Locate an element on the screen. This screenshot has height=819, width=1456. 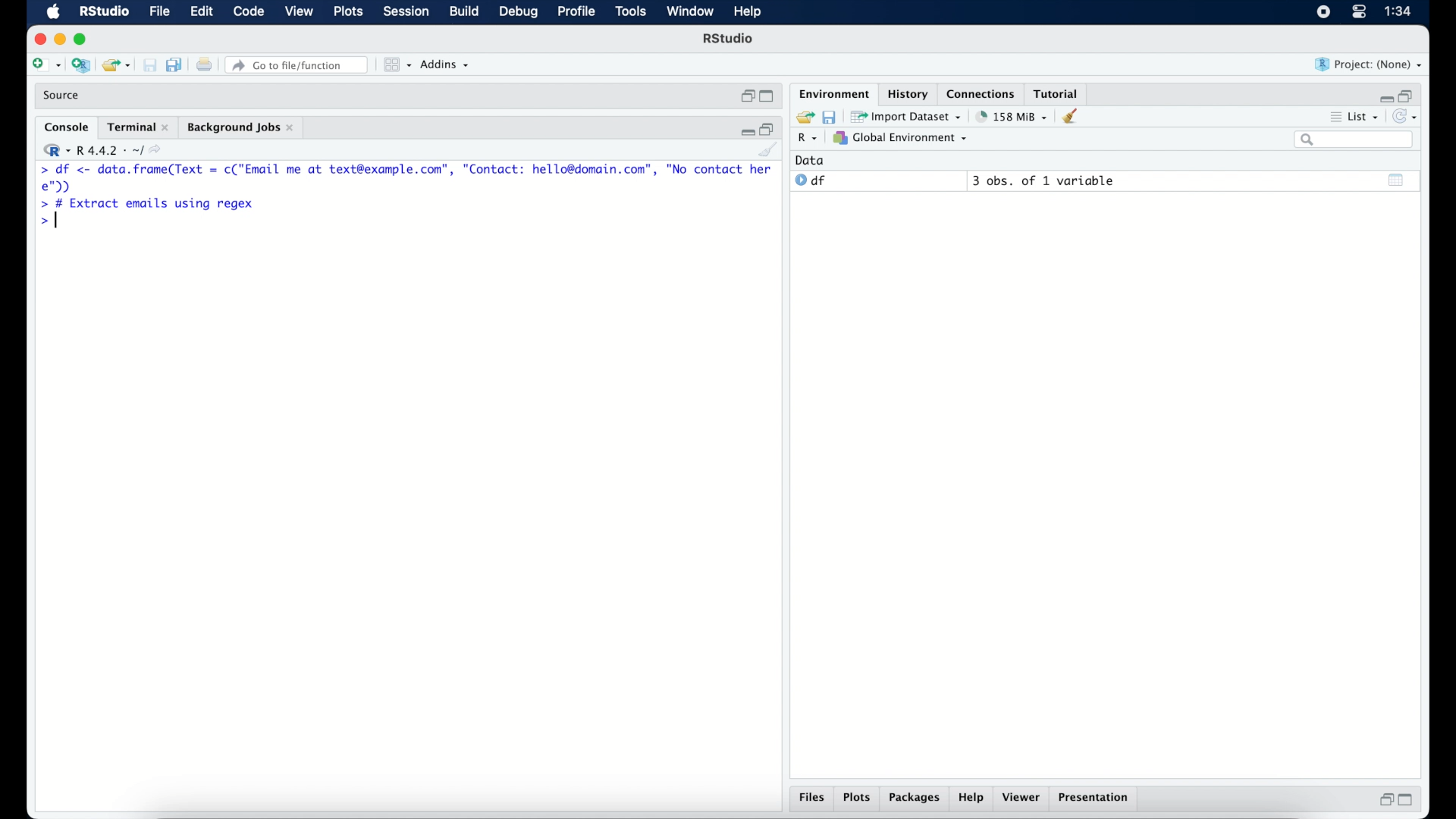
clear console is located at coordinates (1073, 117).